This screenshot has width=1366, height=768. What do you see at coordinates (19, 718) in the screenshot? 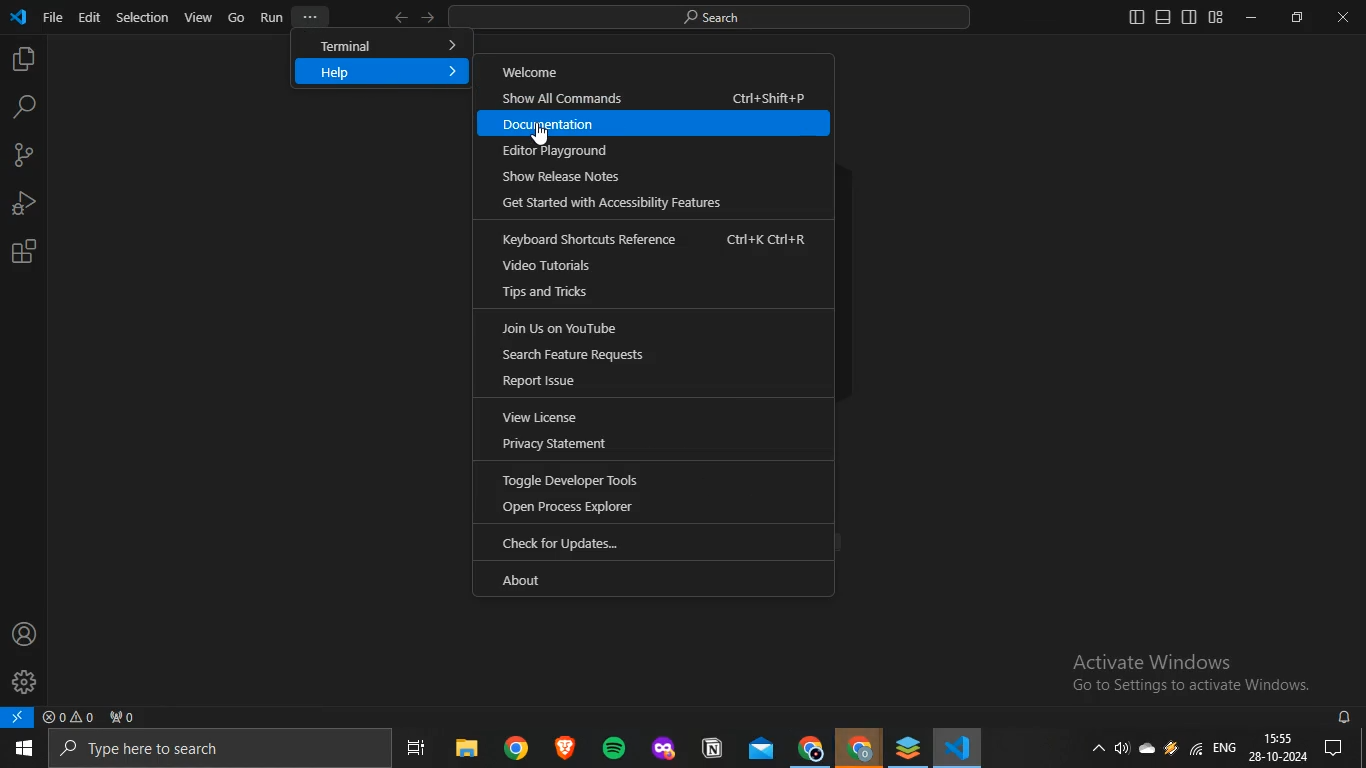
I see `open a remote window` at bounding box center [19, 718].